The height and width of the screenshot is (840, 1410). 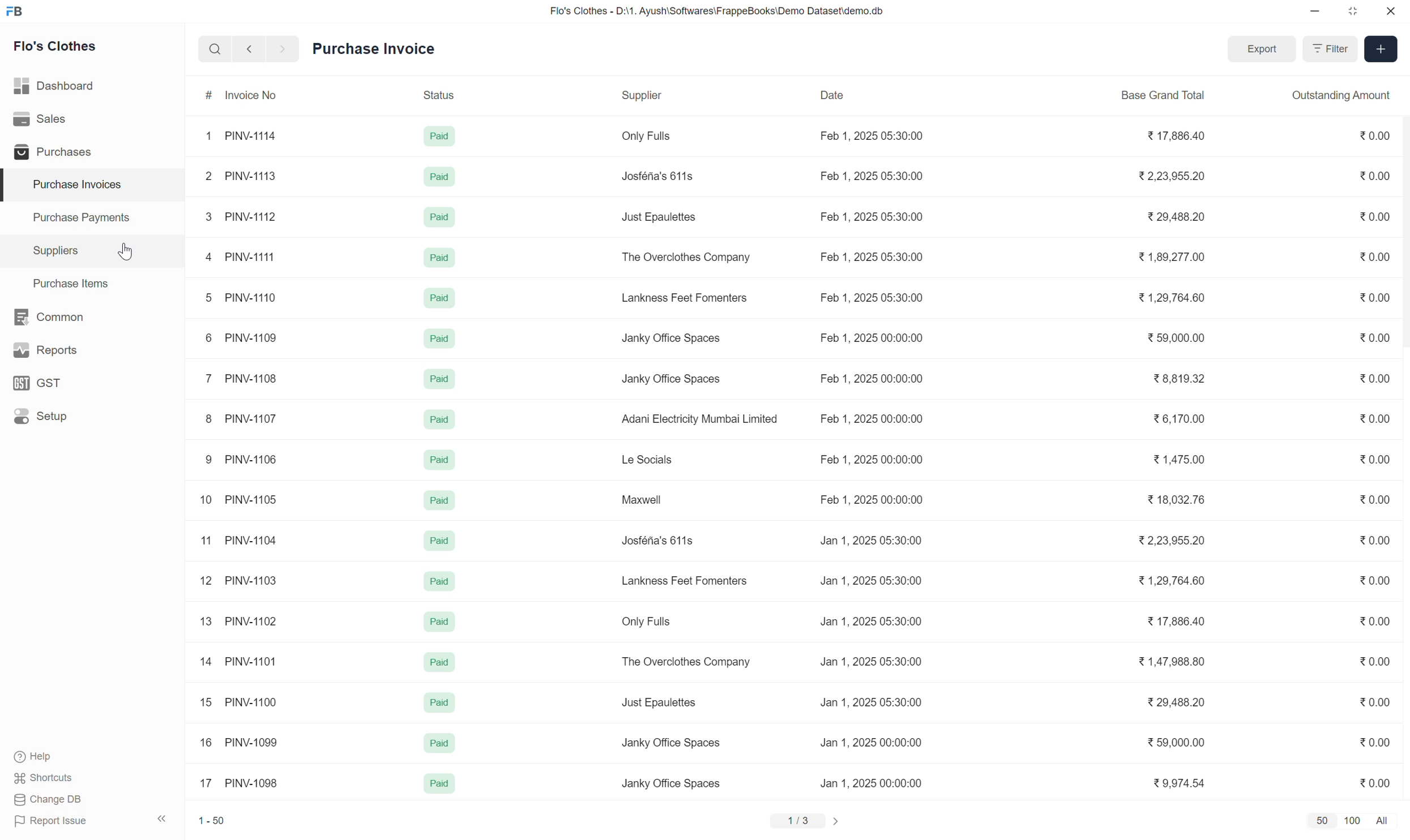 I want to click on Paid, so click(x=439, y=217).